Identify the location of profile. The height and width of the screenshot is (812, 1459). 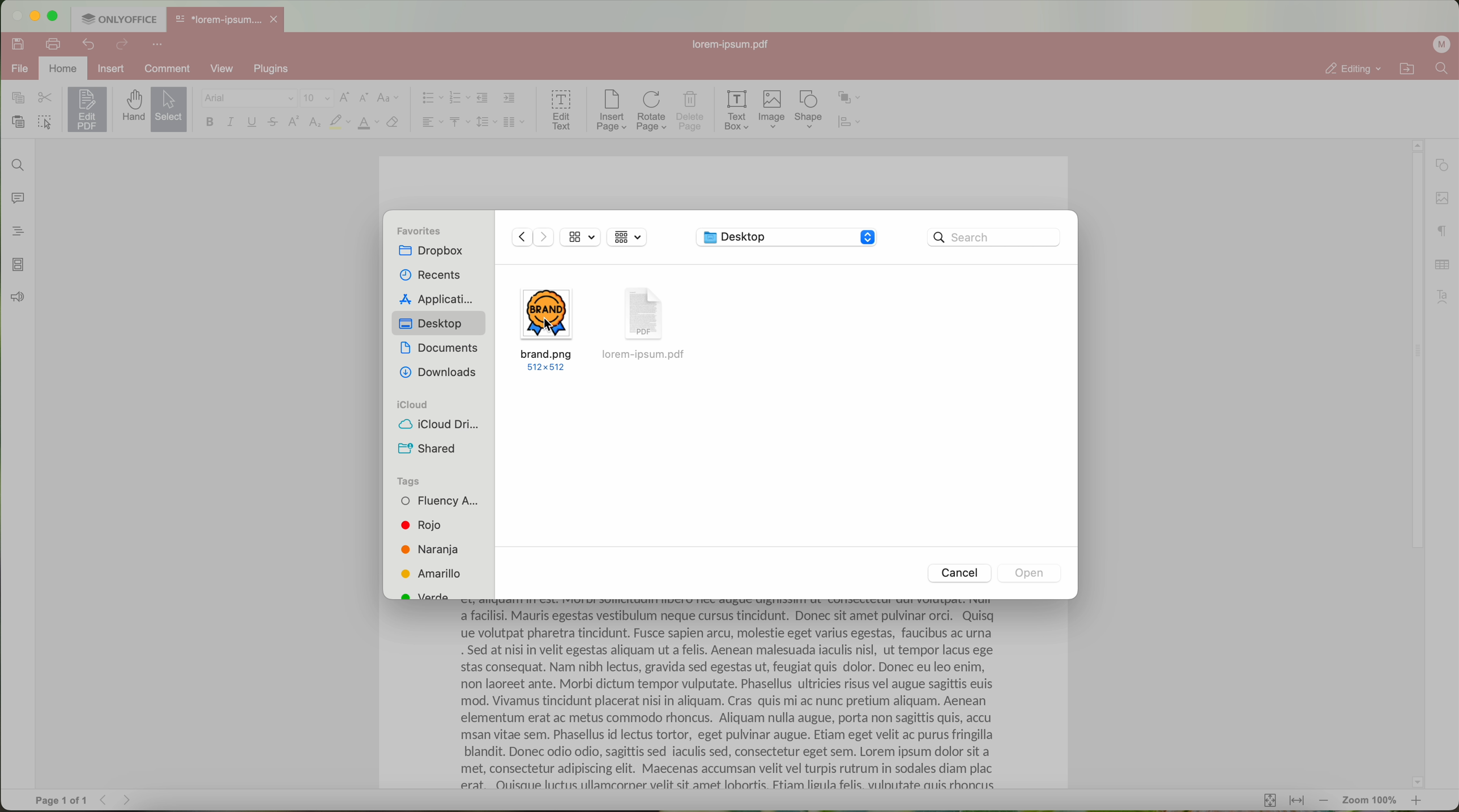
(1444, 44).